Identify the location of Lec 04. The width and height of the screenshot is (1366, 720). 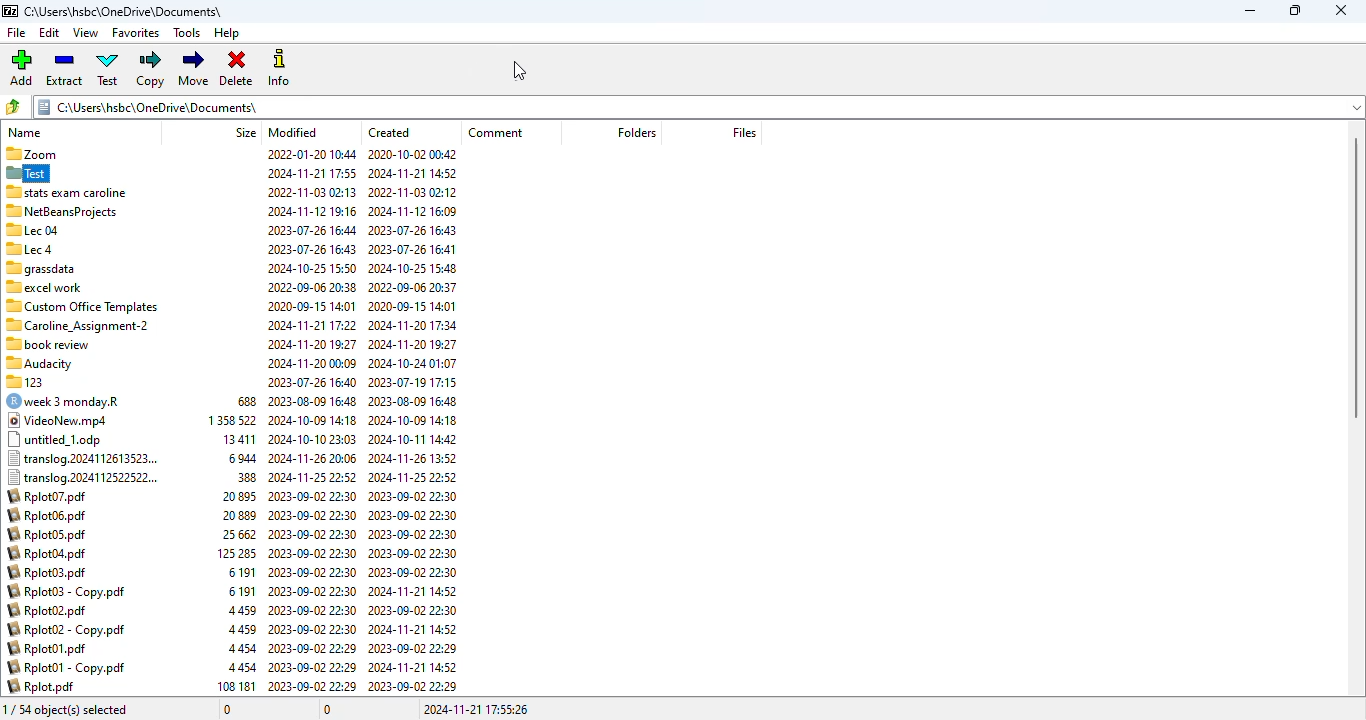
(33, 230).